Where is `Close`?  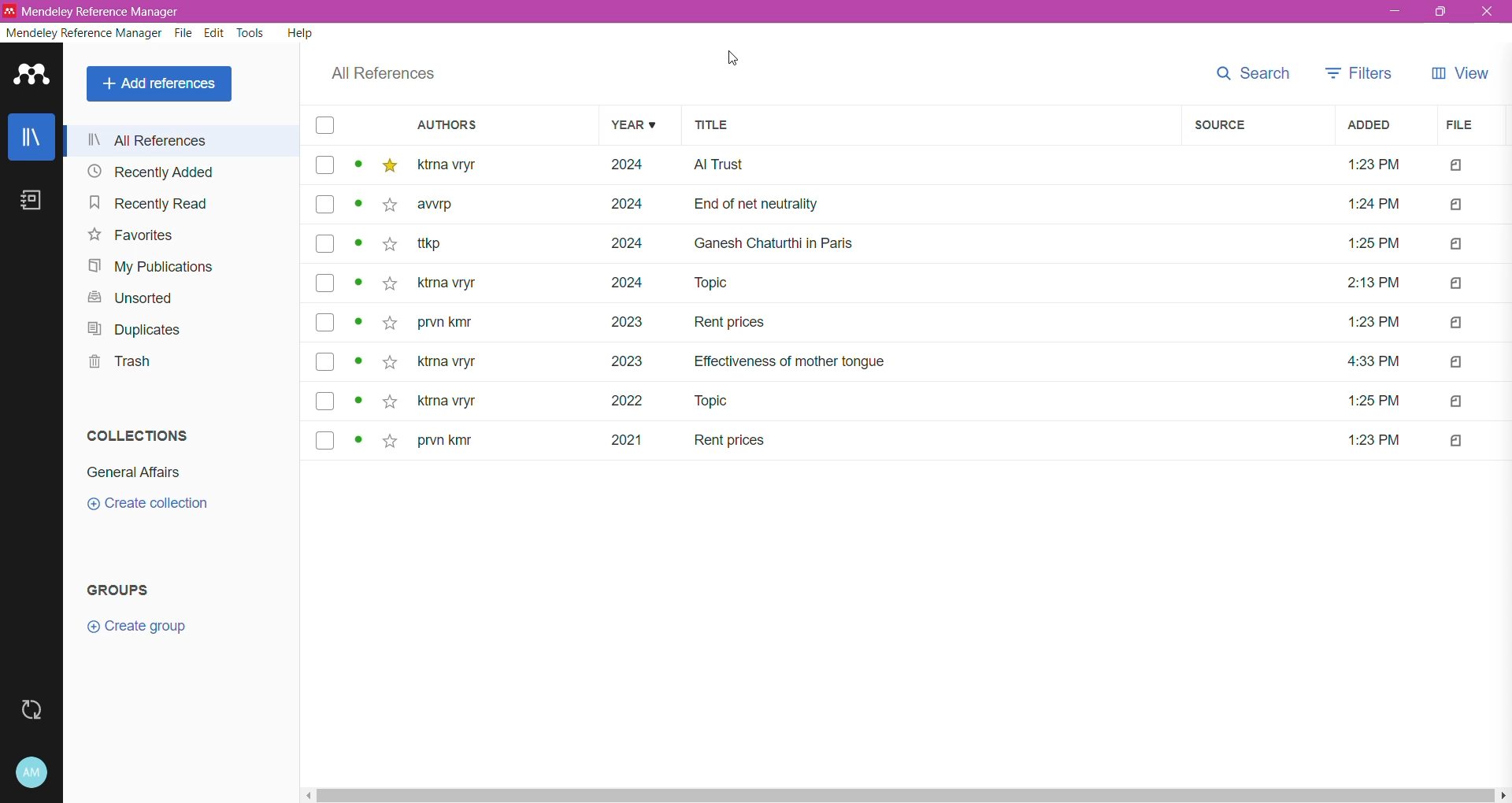
Close is located at coordinates (1490, 12).